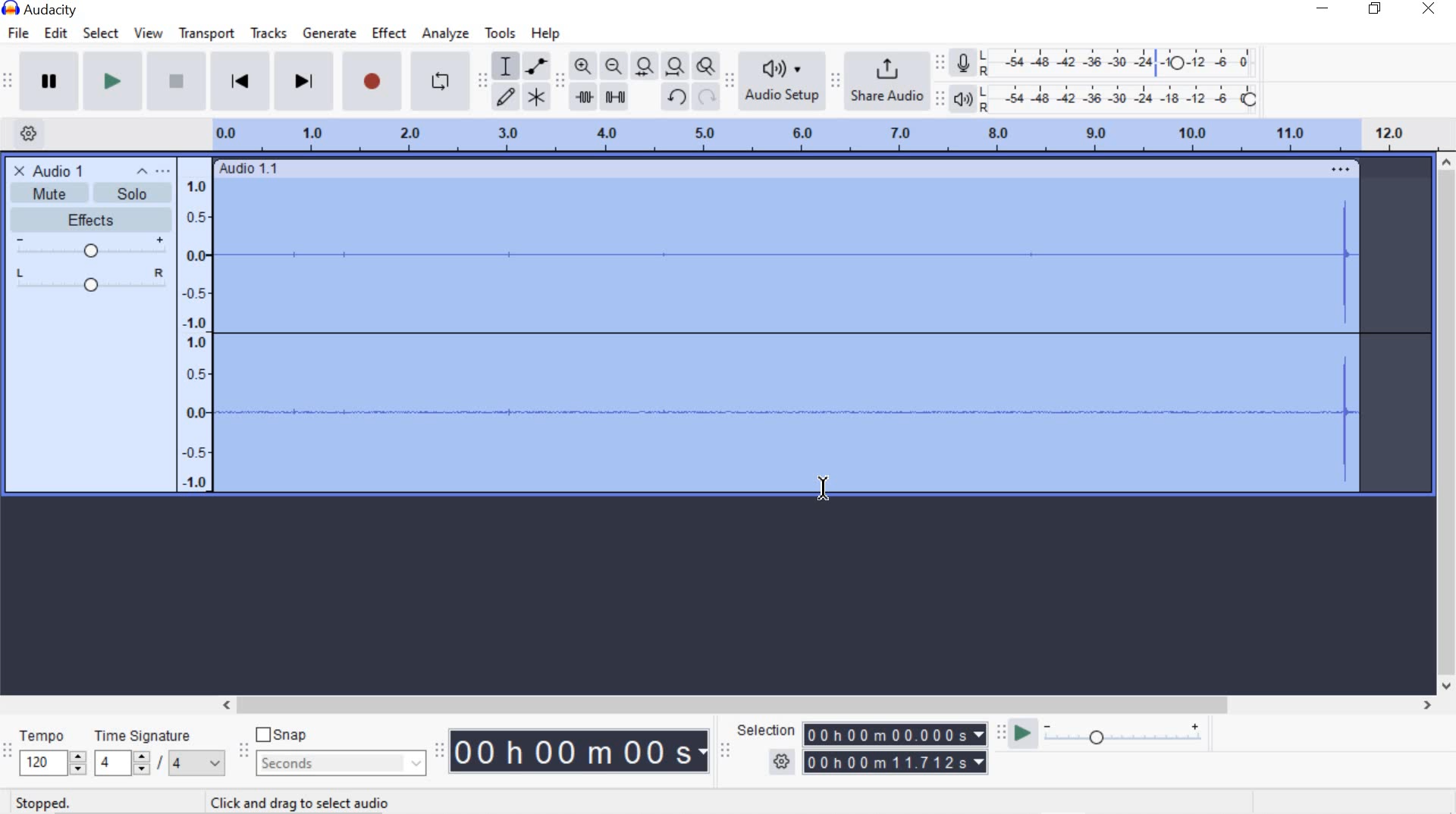 This screenshot has width=1456, height=814. Describe the element at coordinates (241, 81) in the screenshot. I see `Skip to start` at that location.